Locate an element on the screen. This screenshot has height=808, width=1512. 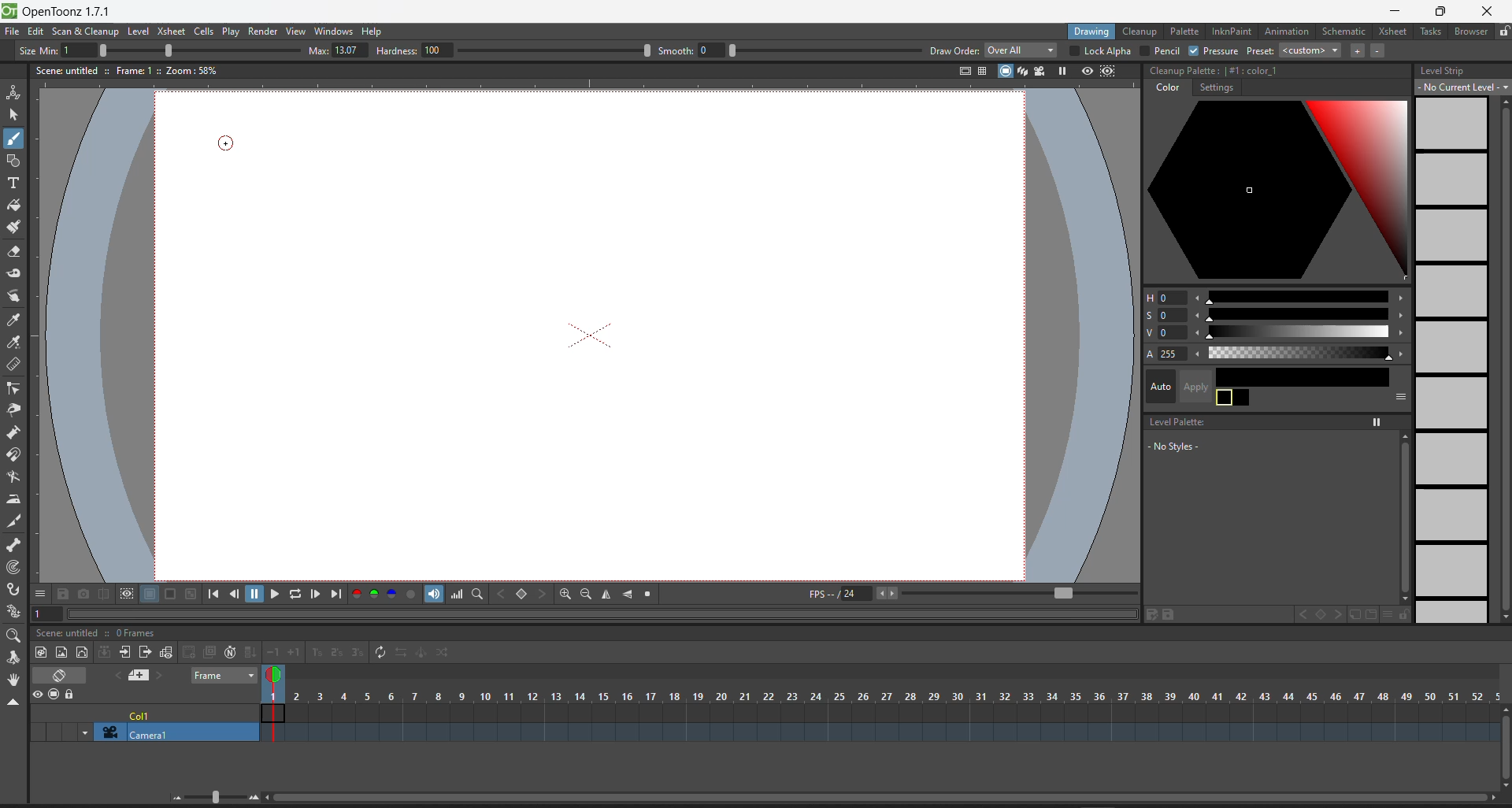
slider is located at coordinates (213, 797).